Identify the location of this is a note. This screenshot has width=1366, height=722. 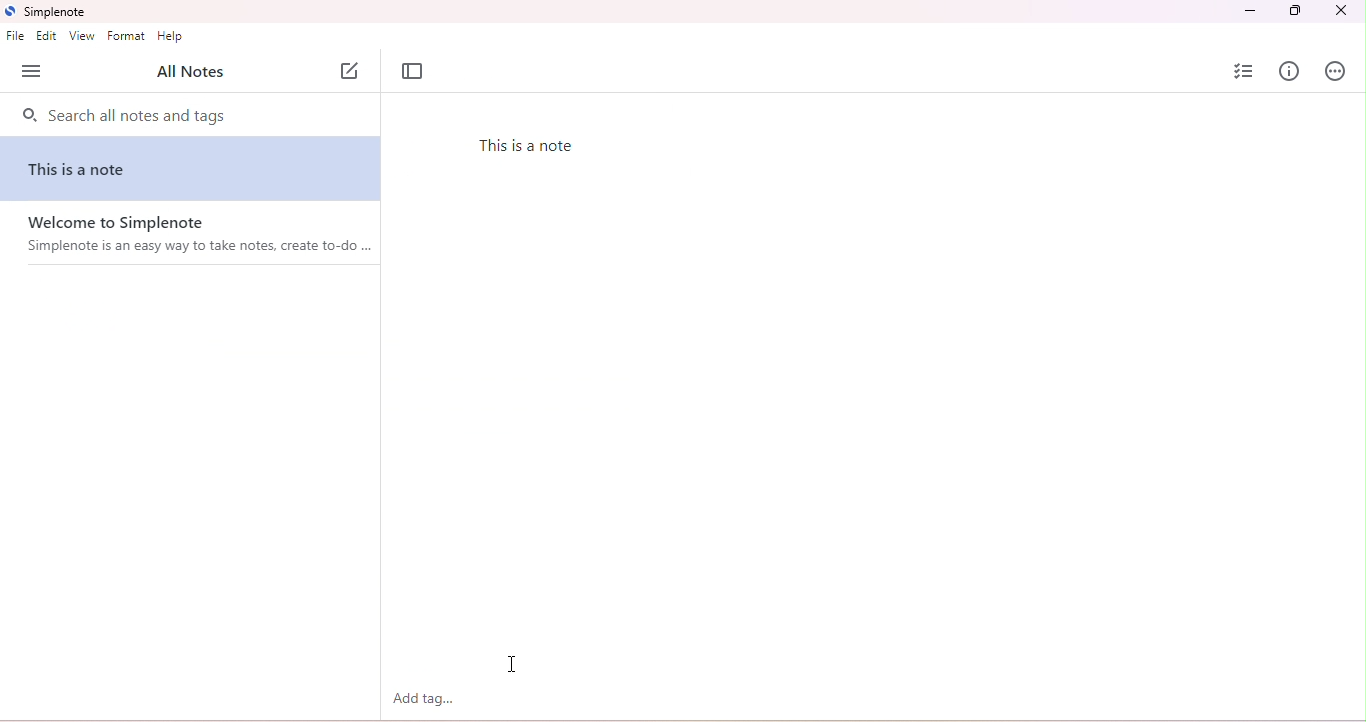
(536, 147).